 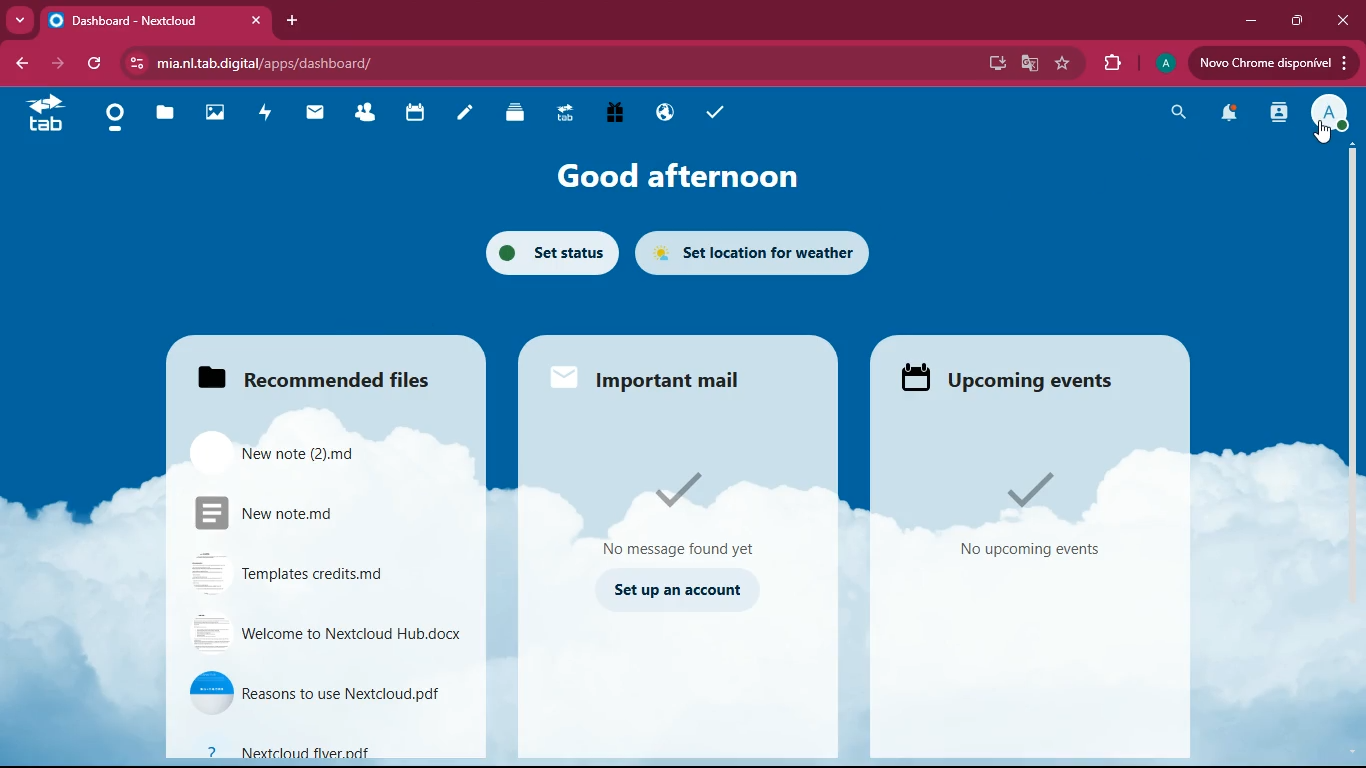 What do you see at coordinates (321, 113) in the screenshot?
I see `mail` at bounding box center [321, 113].